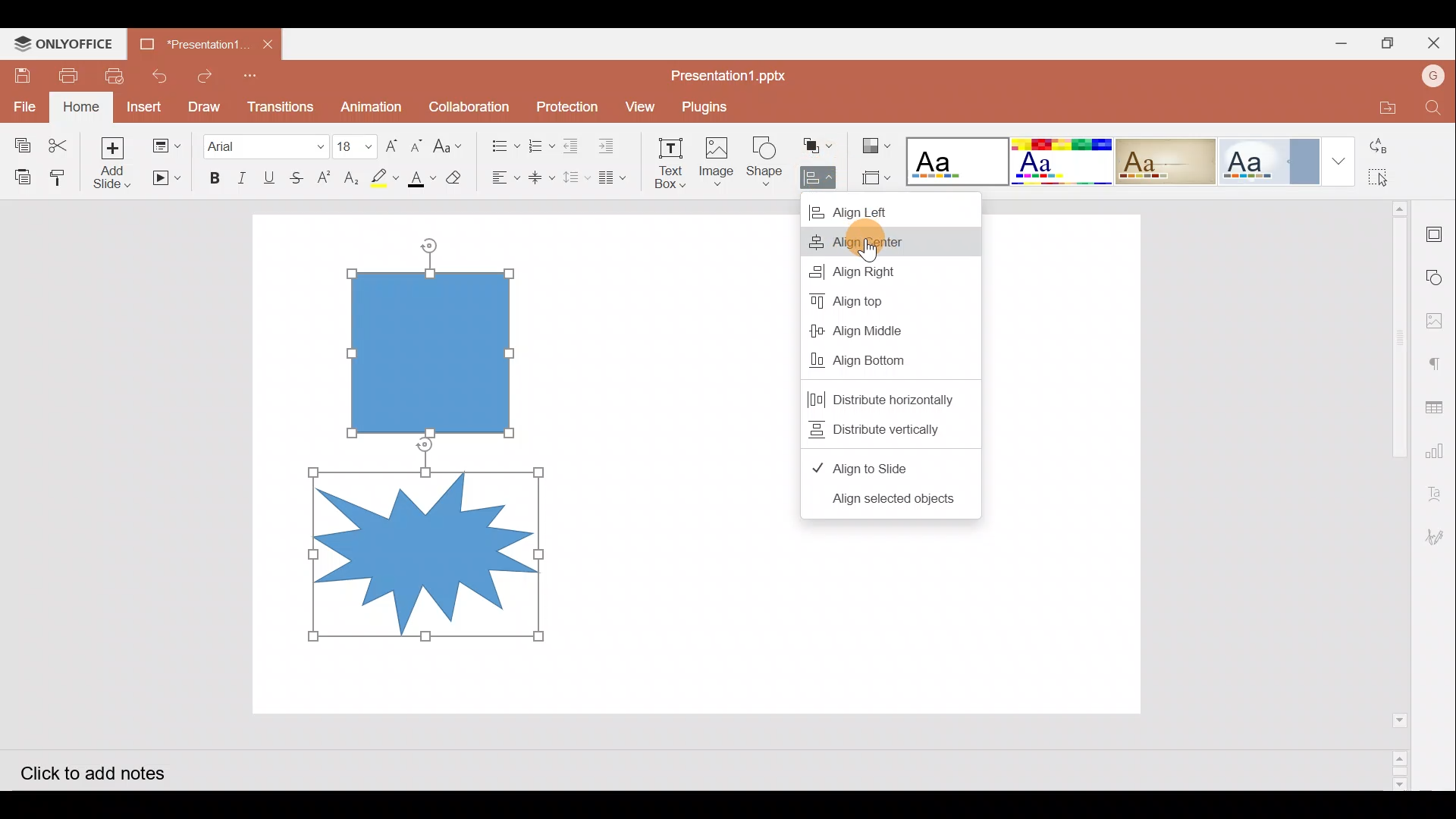 The width and height of the screenshot is (1456, 819). I want to click on Transitions, so click(279, 103).